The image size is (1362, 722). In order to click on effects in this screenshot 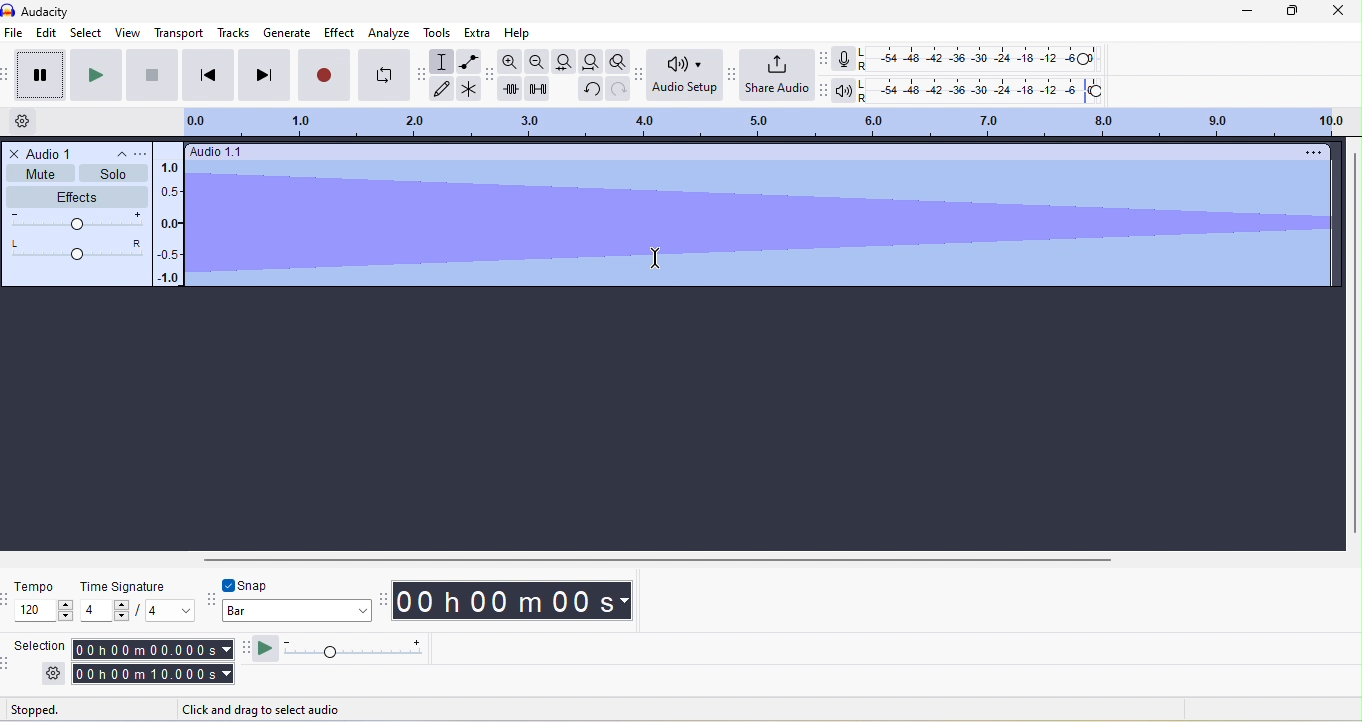, I will do `click(79, 196)`.